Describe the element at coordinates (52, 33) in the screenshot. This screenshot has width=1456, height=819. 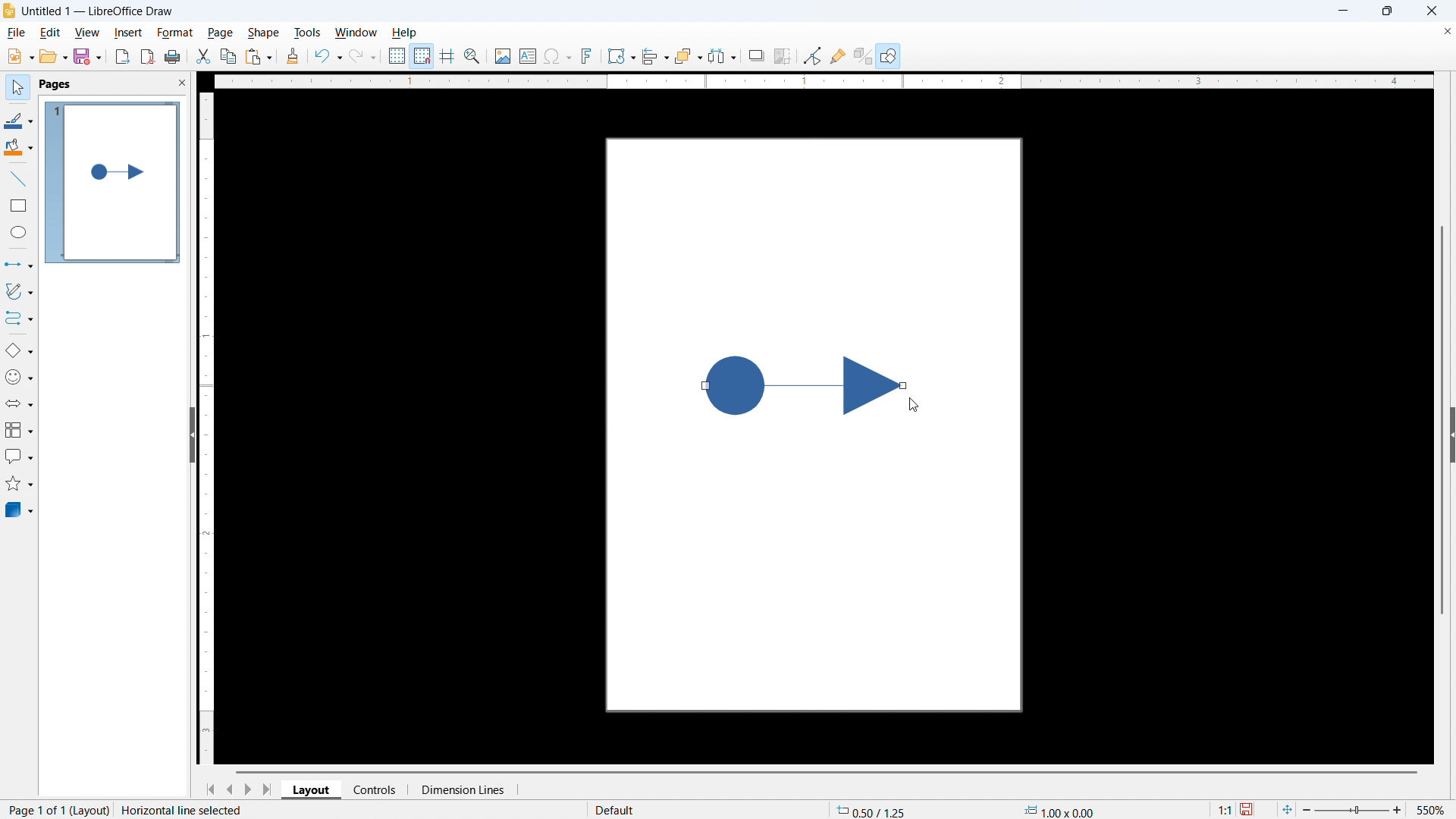
I see `Edit ` at that location.